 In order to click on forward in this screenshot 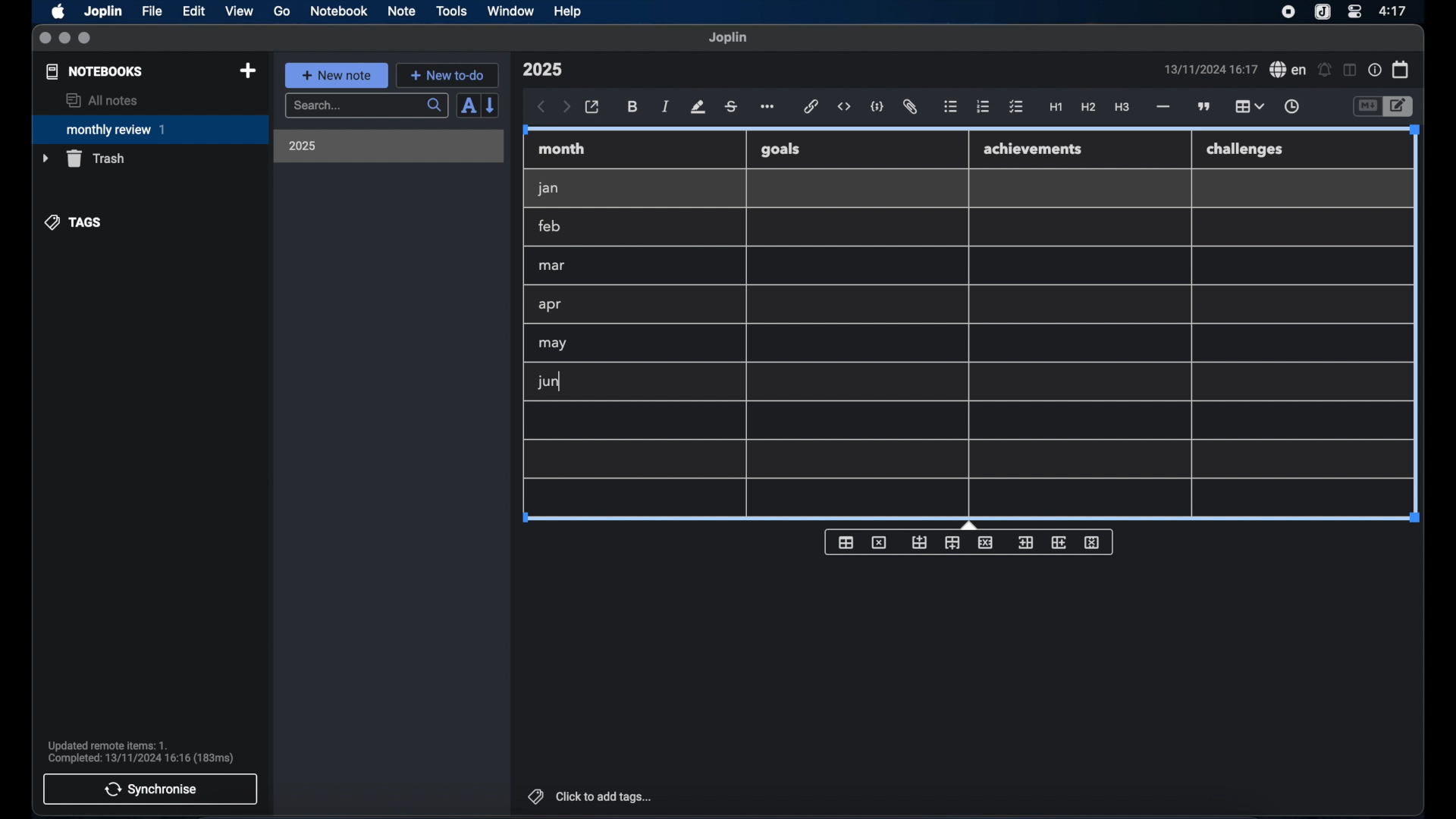, I will do `click(566, 108)`.